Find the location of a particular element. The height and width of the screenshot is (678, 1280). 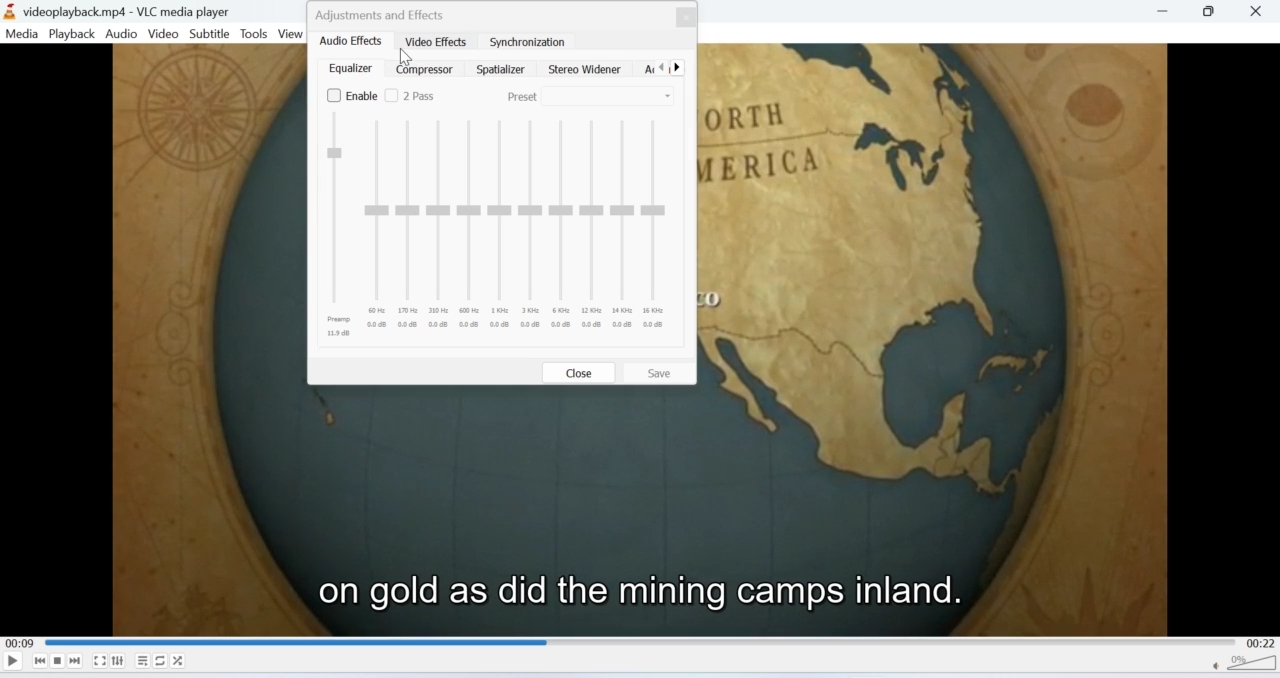

Playlist is located at coordinates (143, 661).